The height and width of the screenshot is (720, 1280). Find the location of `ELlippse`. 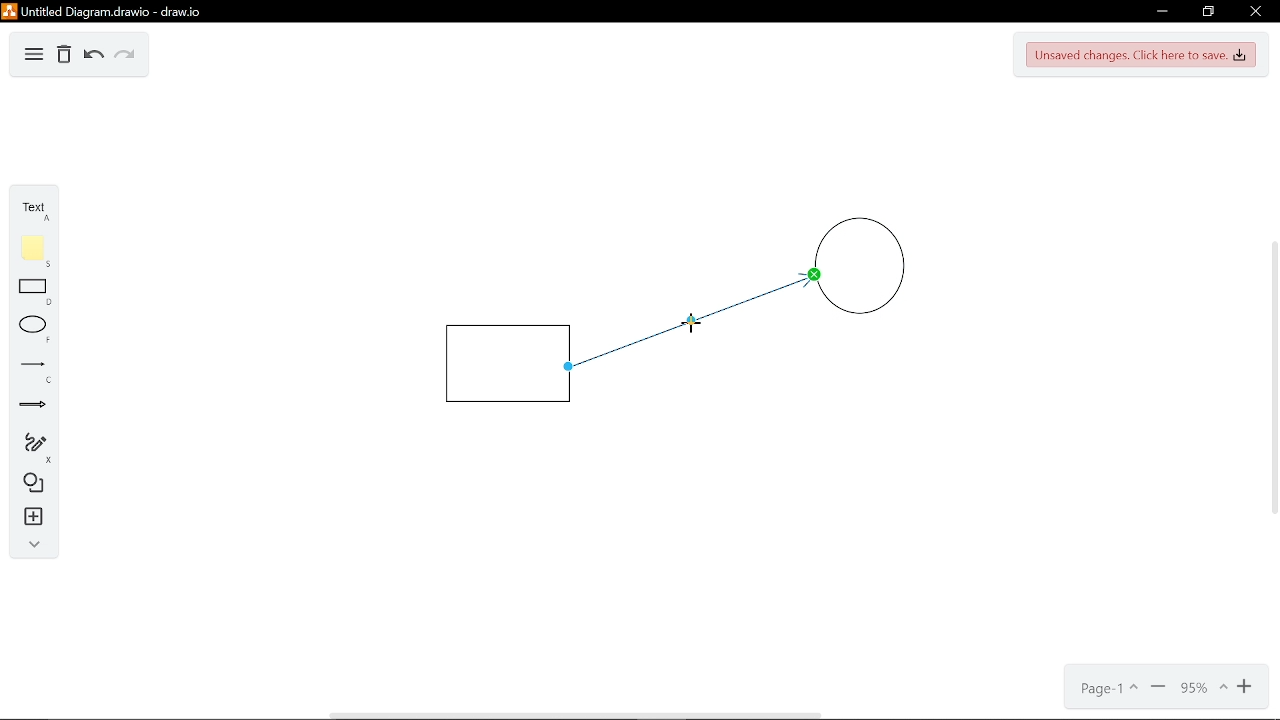

ELlippse is located at coordinates (31, 327).